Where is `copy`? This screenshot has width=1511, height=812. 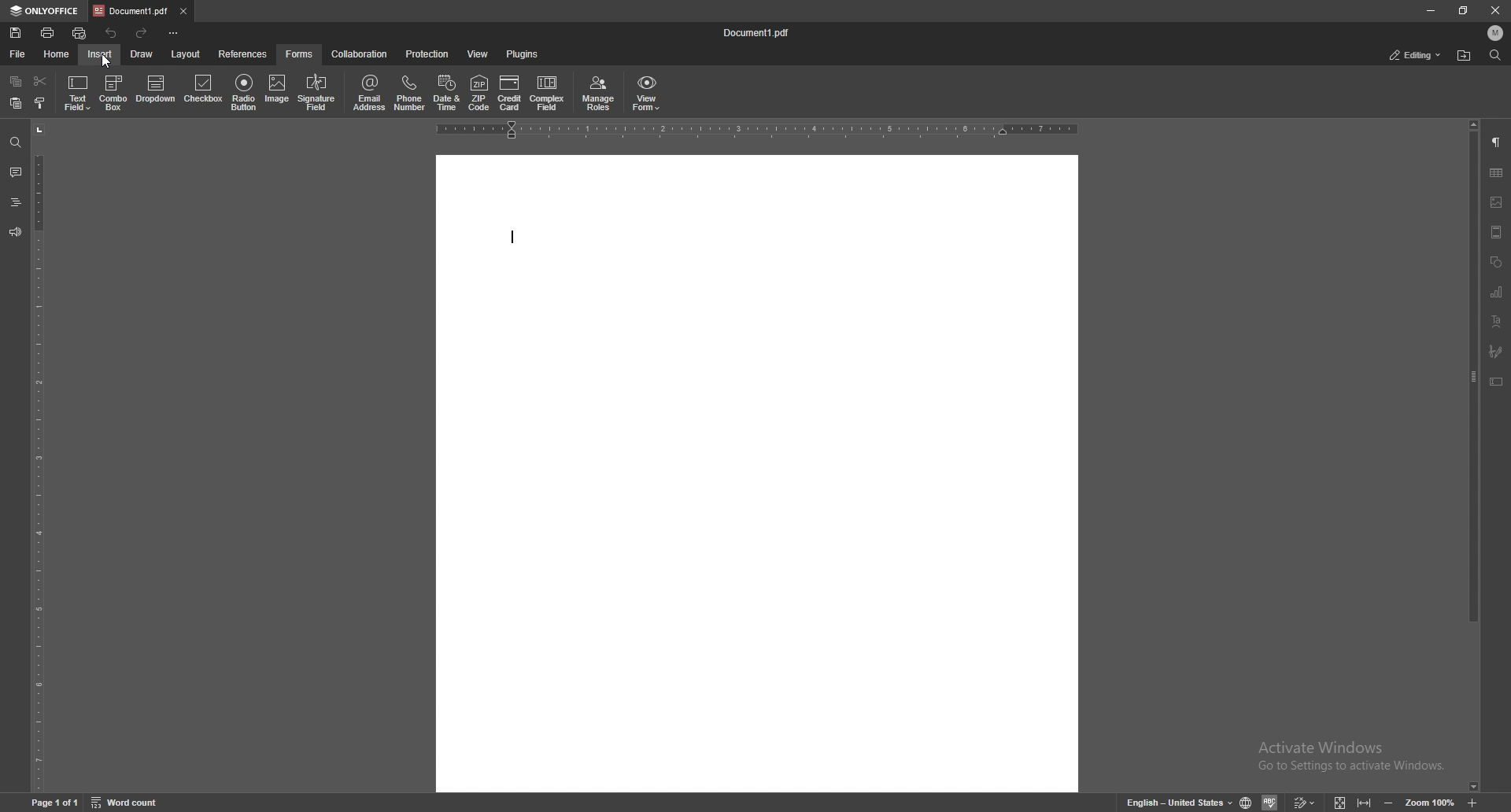
copy is located at coordinates (16, 81).